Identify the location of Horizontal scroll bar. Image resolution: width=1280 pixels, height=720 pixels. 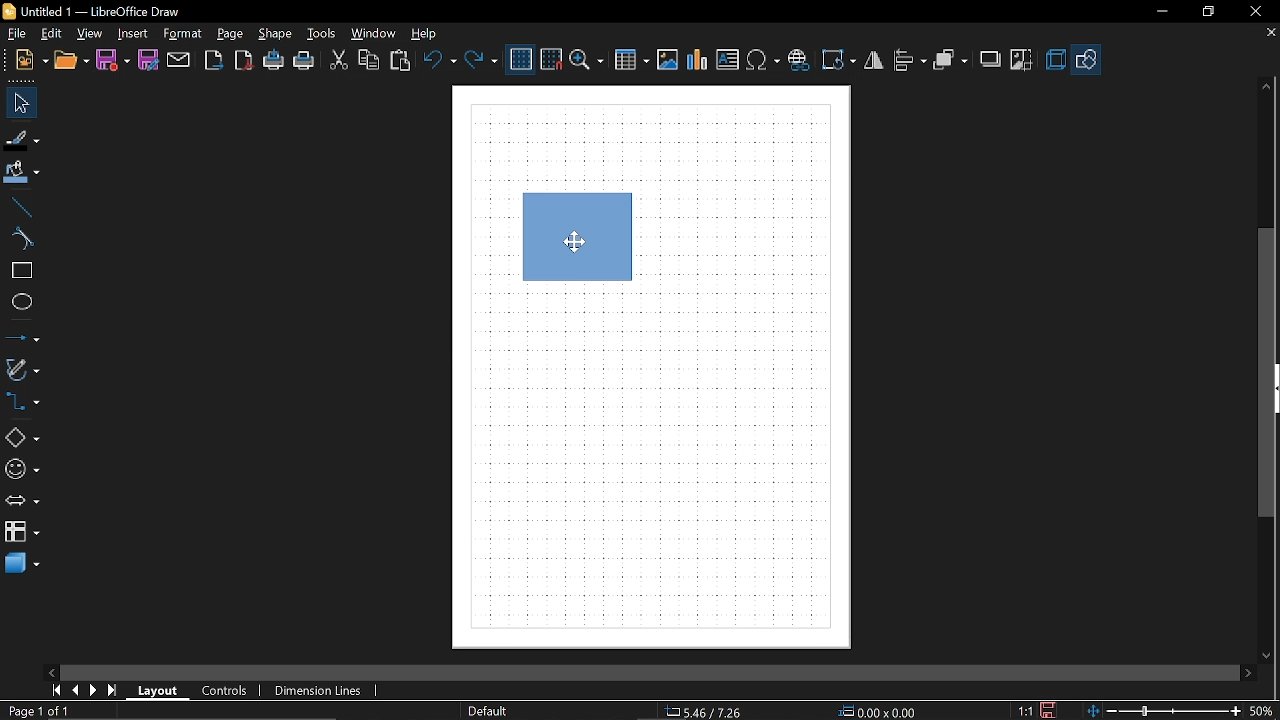
(768, 673).